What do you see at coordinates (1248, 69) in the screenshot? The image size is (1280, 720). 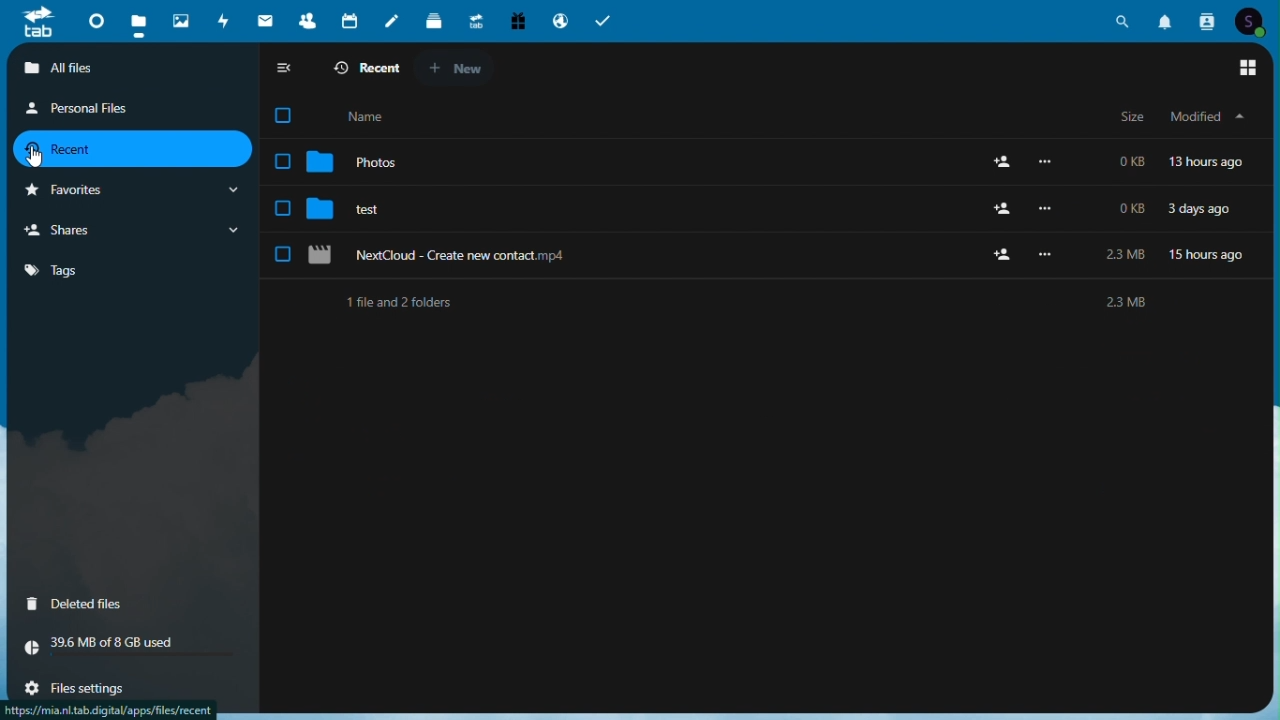 I see `switch to grid view` at bounding box center [1248, 69].